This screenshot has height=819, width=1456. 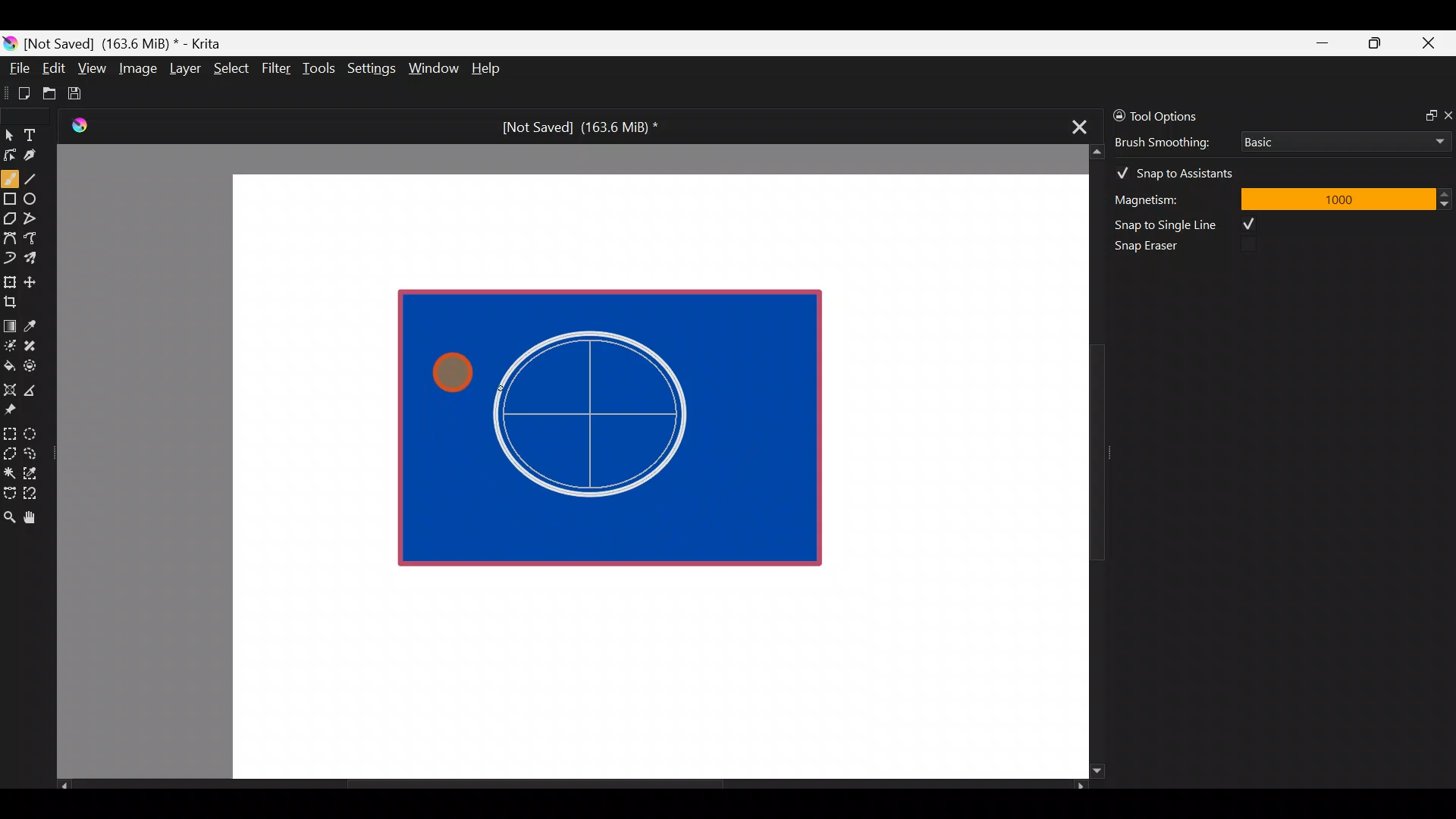 I want to click on 1000, so click(x=1337, y=198).